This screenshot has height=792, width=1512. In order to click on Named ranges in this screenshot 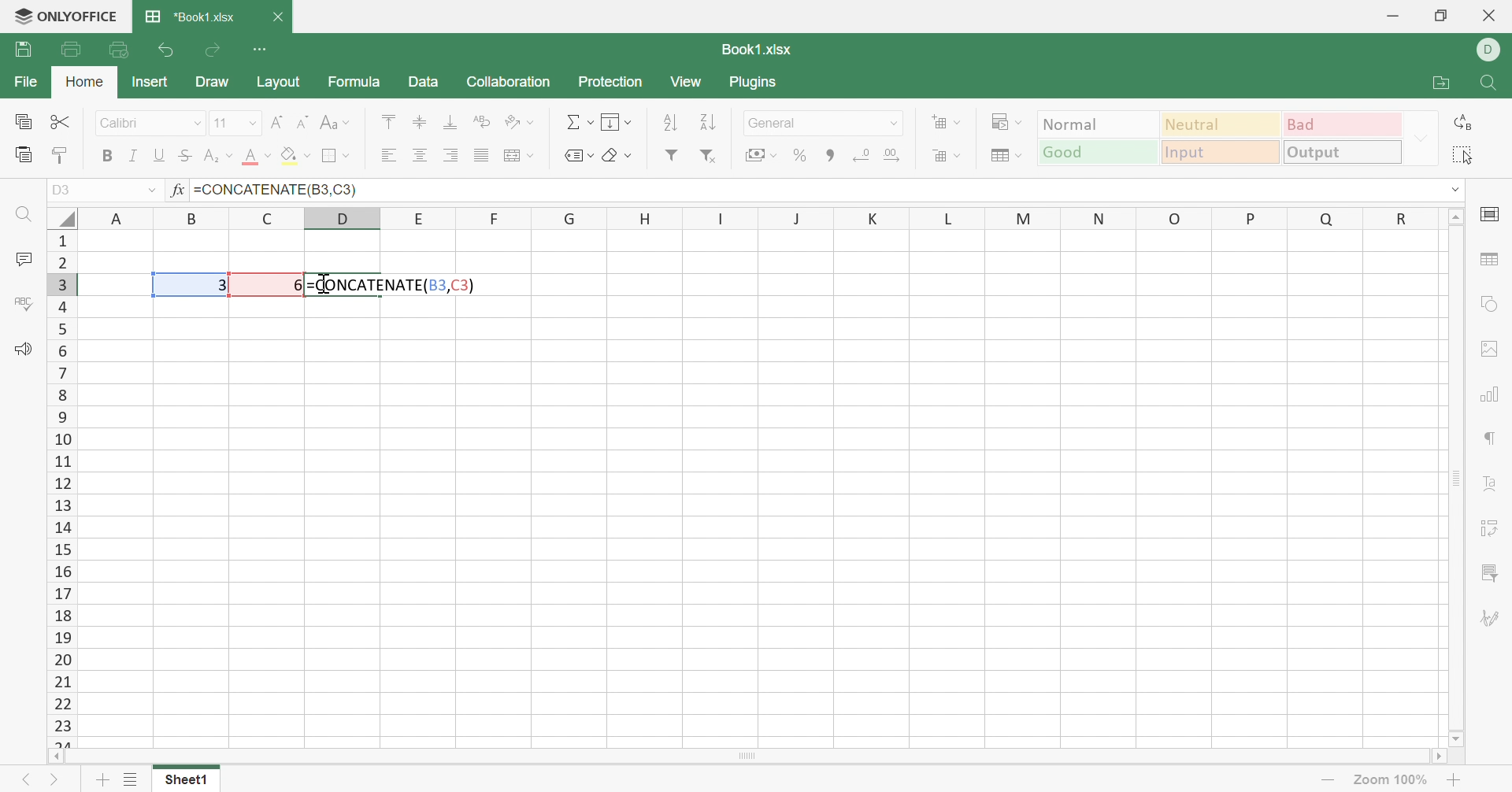, I will do `click(577, 154)`.